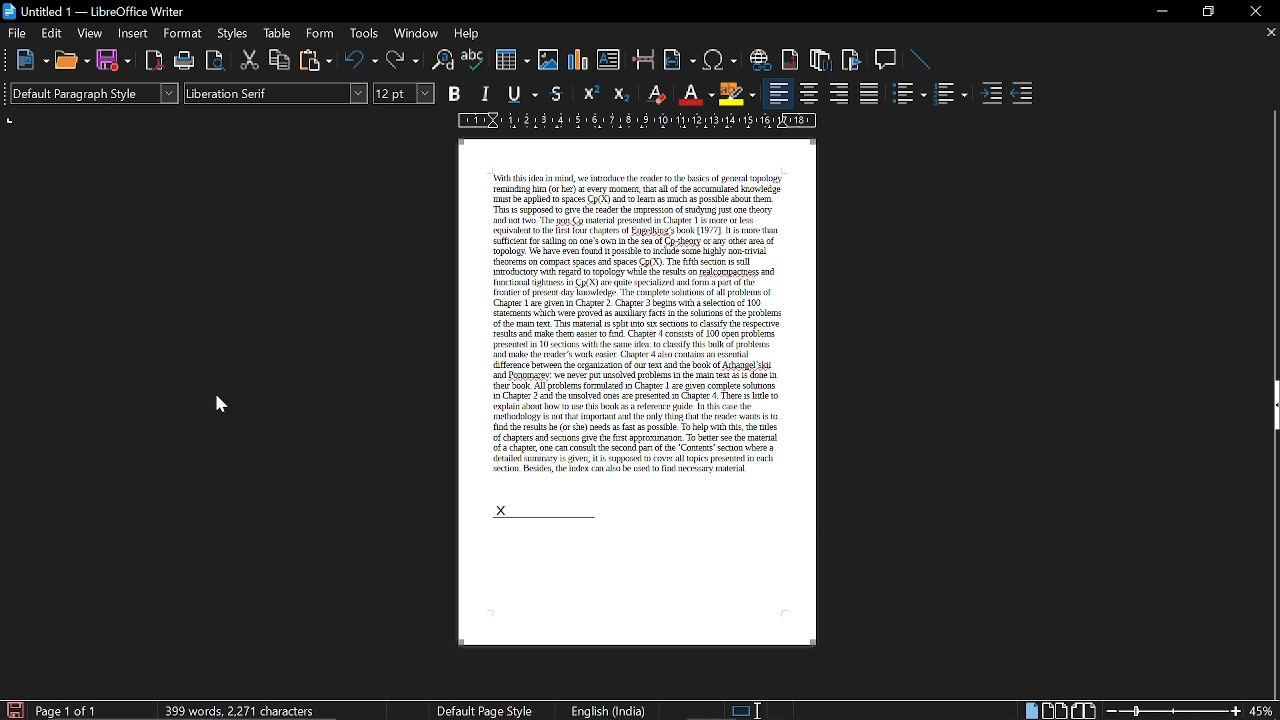 The height and width of the screenshot is (720, 1280). What do you see at coordinates (623, 93) in the screenshot?
I see `subscript` at bounding box center [623, 93].